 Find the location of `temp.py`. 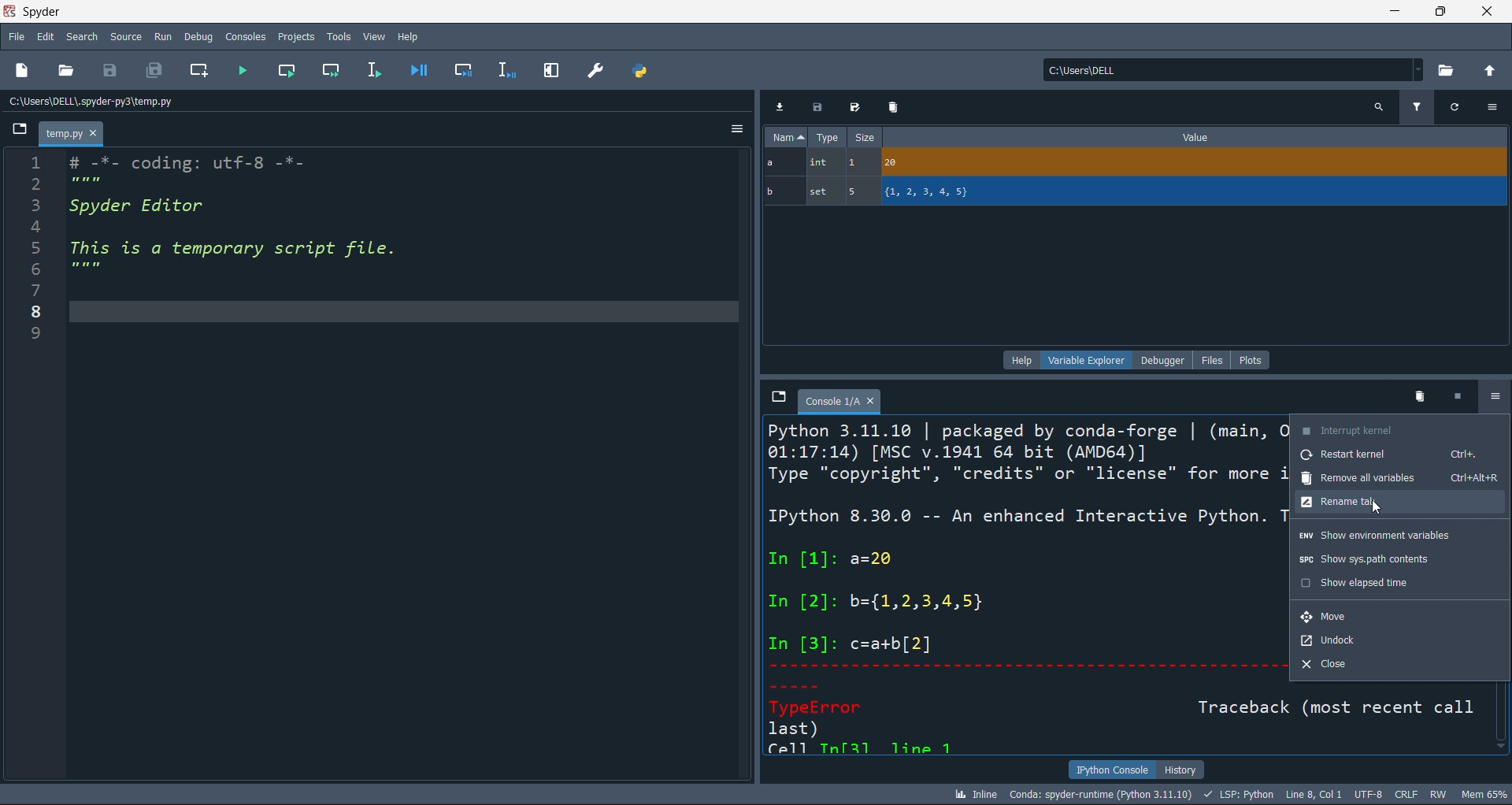

temp.py is located at coordinates (72, 135).